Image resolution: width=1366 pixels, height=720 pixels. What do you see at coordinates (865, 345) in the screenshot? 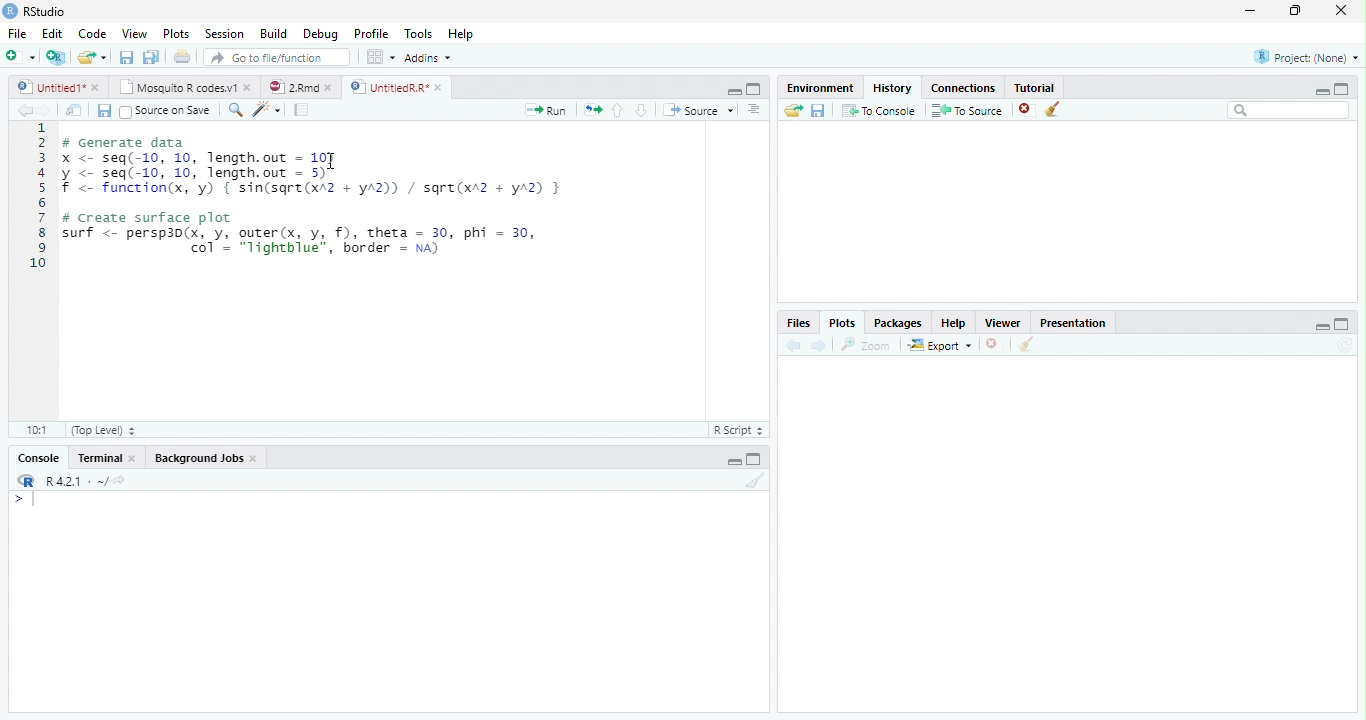
I see `Zoom` at bounding box center [865, 345].